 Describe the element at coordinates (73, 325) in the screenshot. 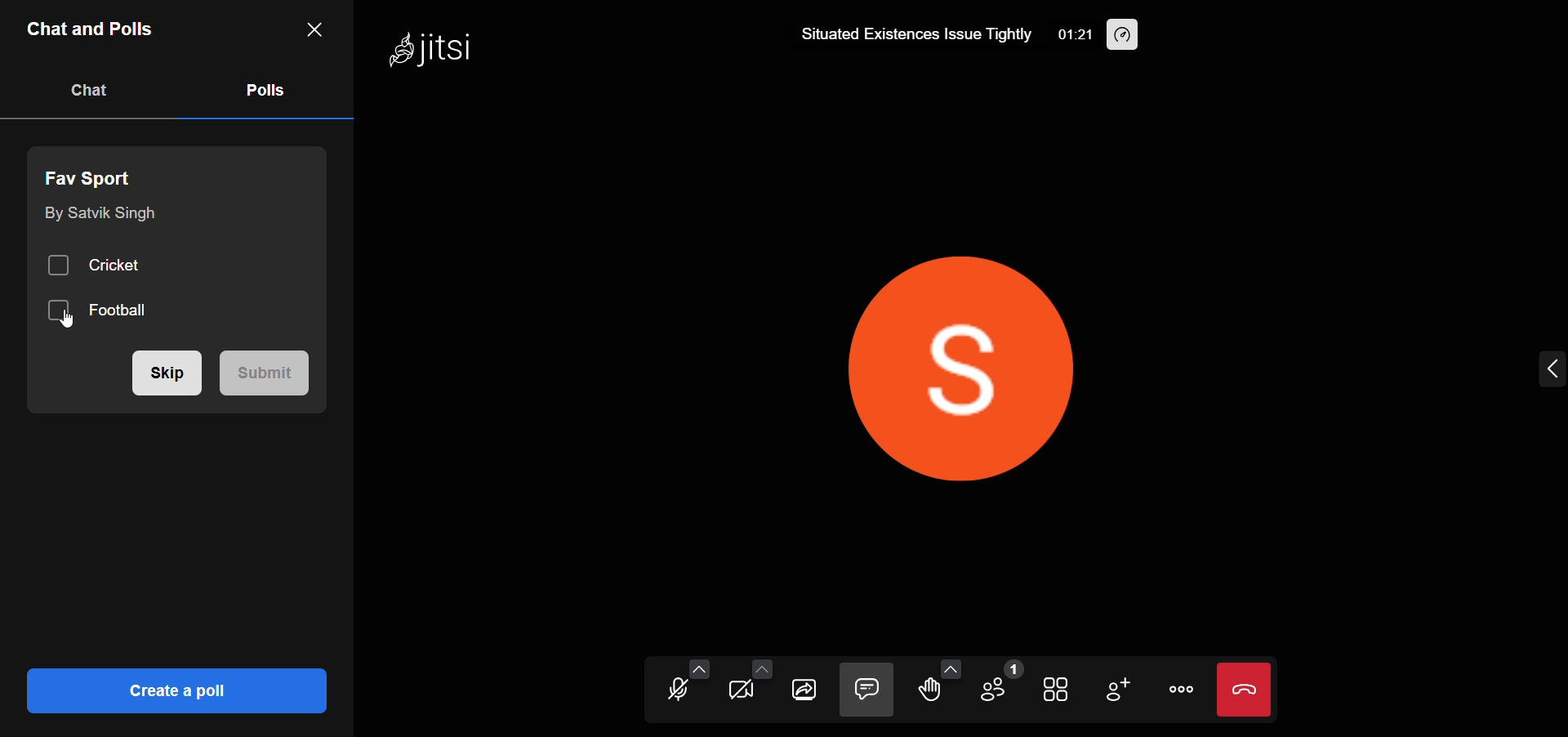

I see `cursor` at that location.